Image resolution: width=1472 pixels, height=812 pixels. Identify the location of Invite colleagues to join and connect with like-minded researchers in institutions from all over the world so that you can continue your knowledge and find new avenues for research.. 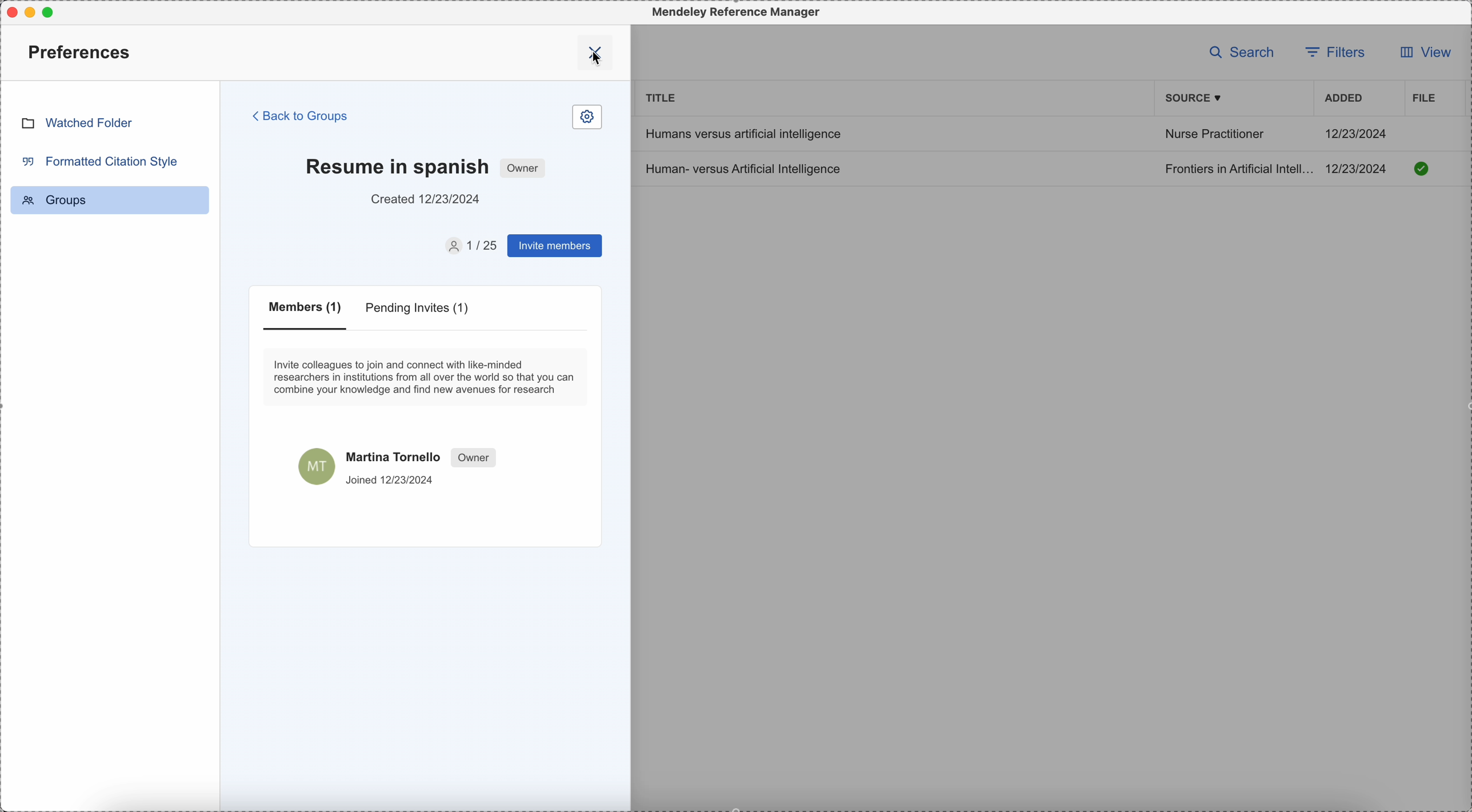
(426, 377).